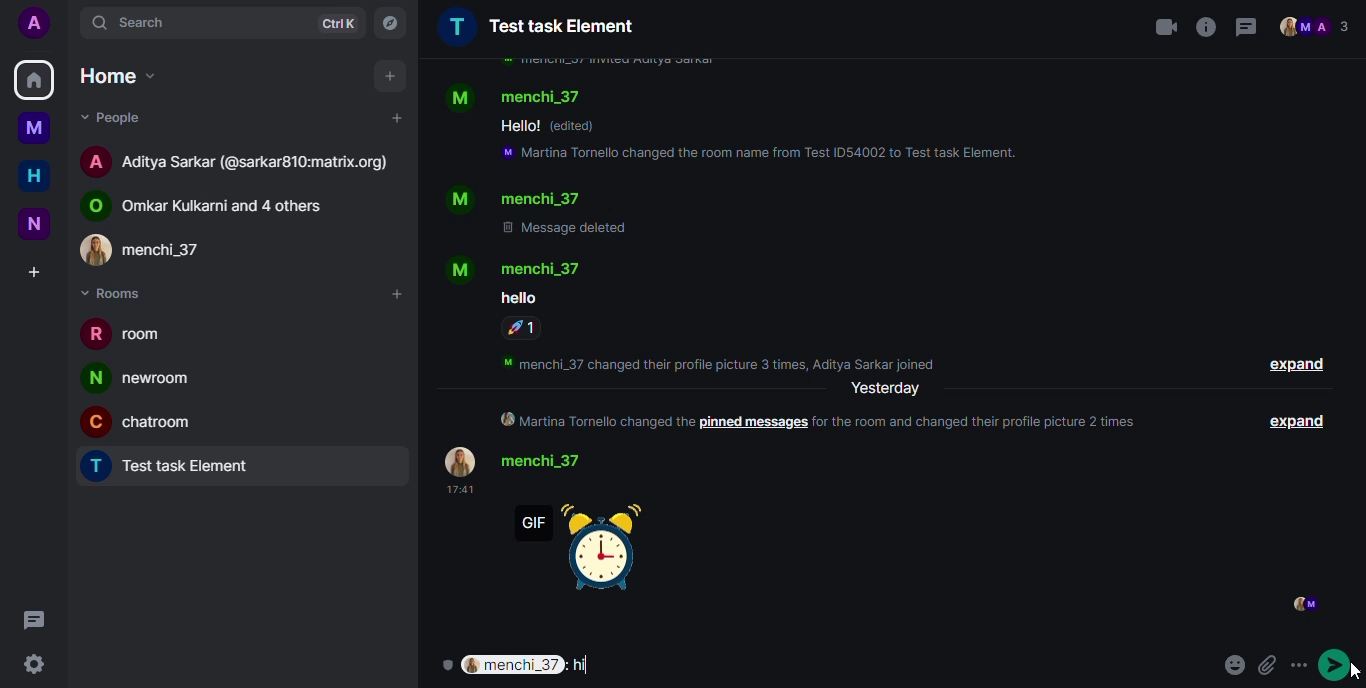 The height and width of the screenshot is (688, 1366). Describe the element at coordinates (34, 81) in the screenshot. I see `home` at that location.